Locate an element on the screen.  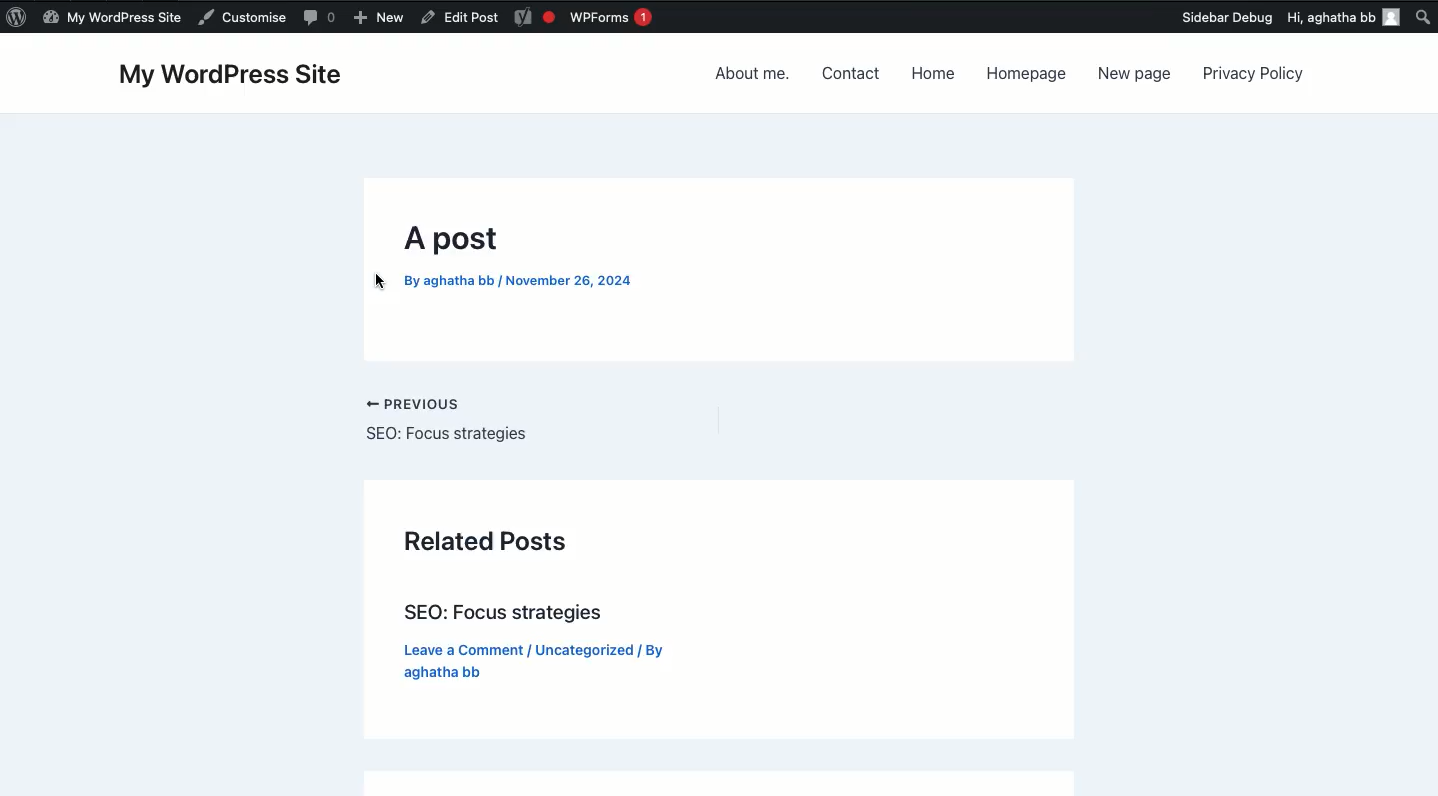
Home is located at coordinates (934, 73).